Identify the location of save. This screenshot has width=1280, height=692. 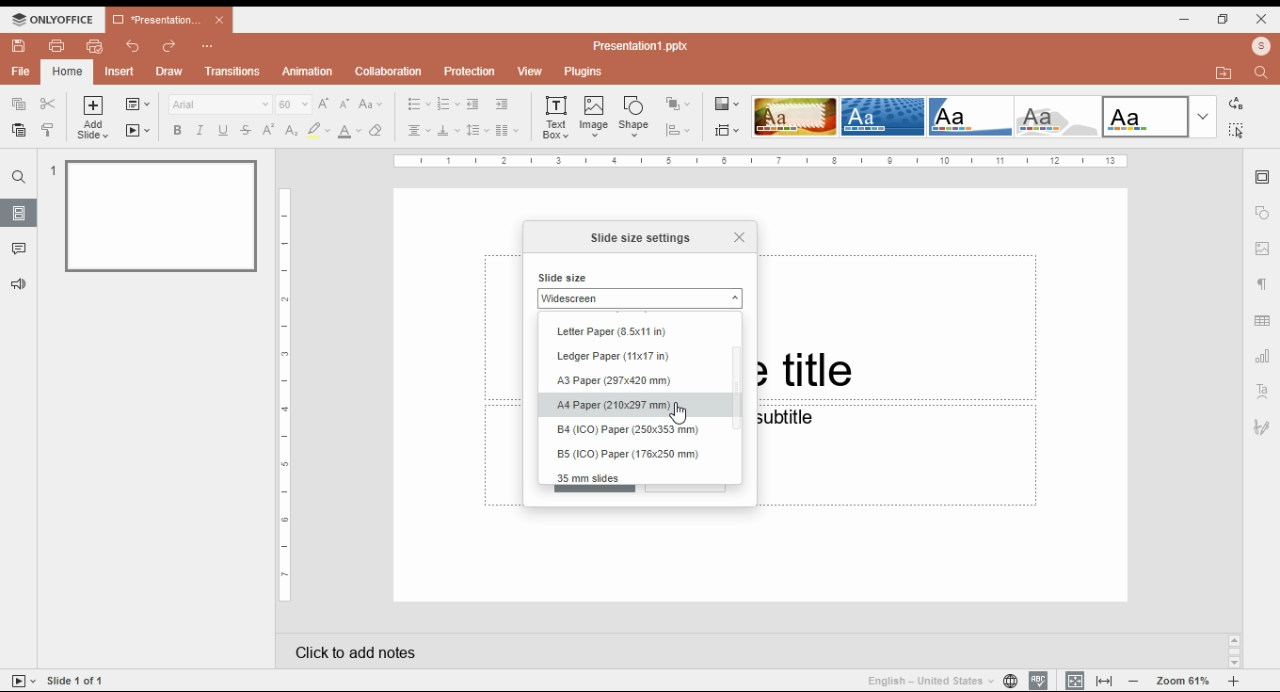
(18, 46).